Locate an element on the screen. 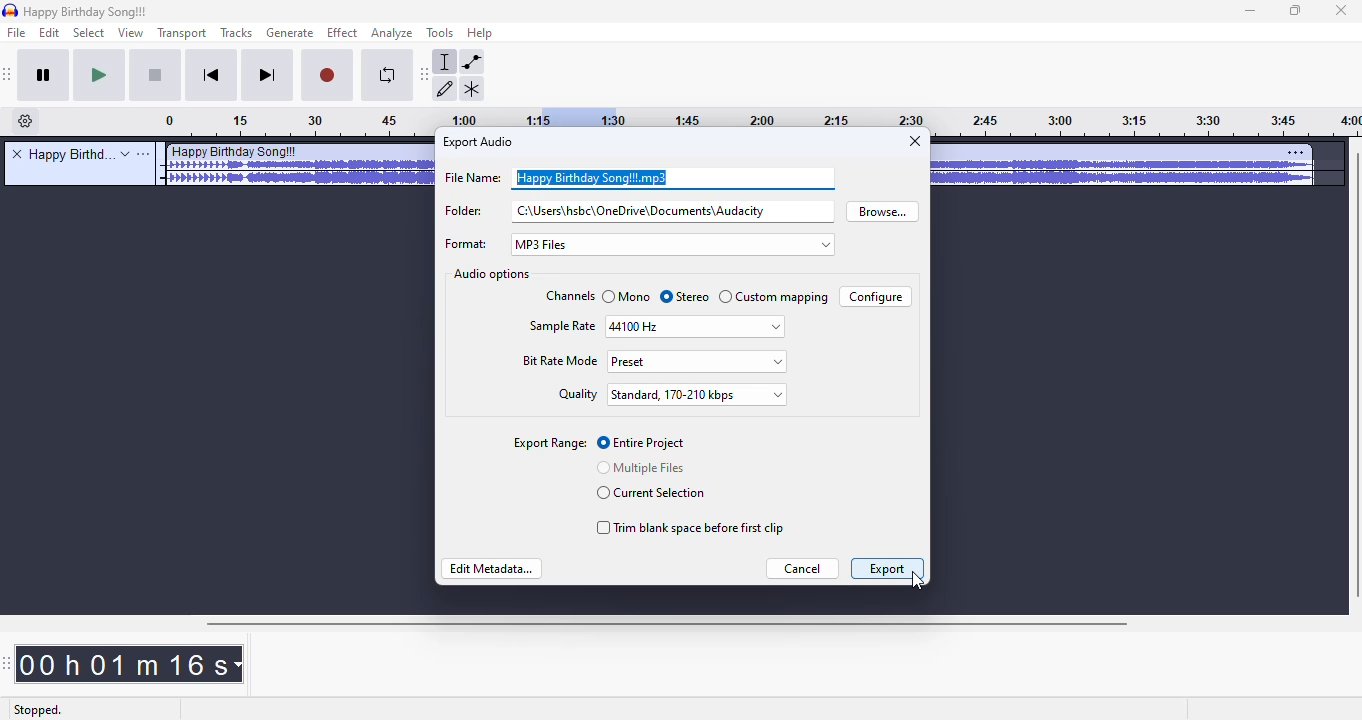 This screenshot has height=720, width=1362. analyze is located at coordinates (392, 34).